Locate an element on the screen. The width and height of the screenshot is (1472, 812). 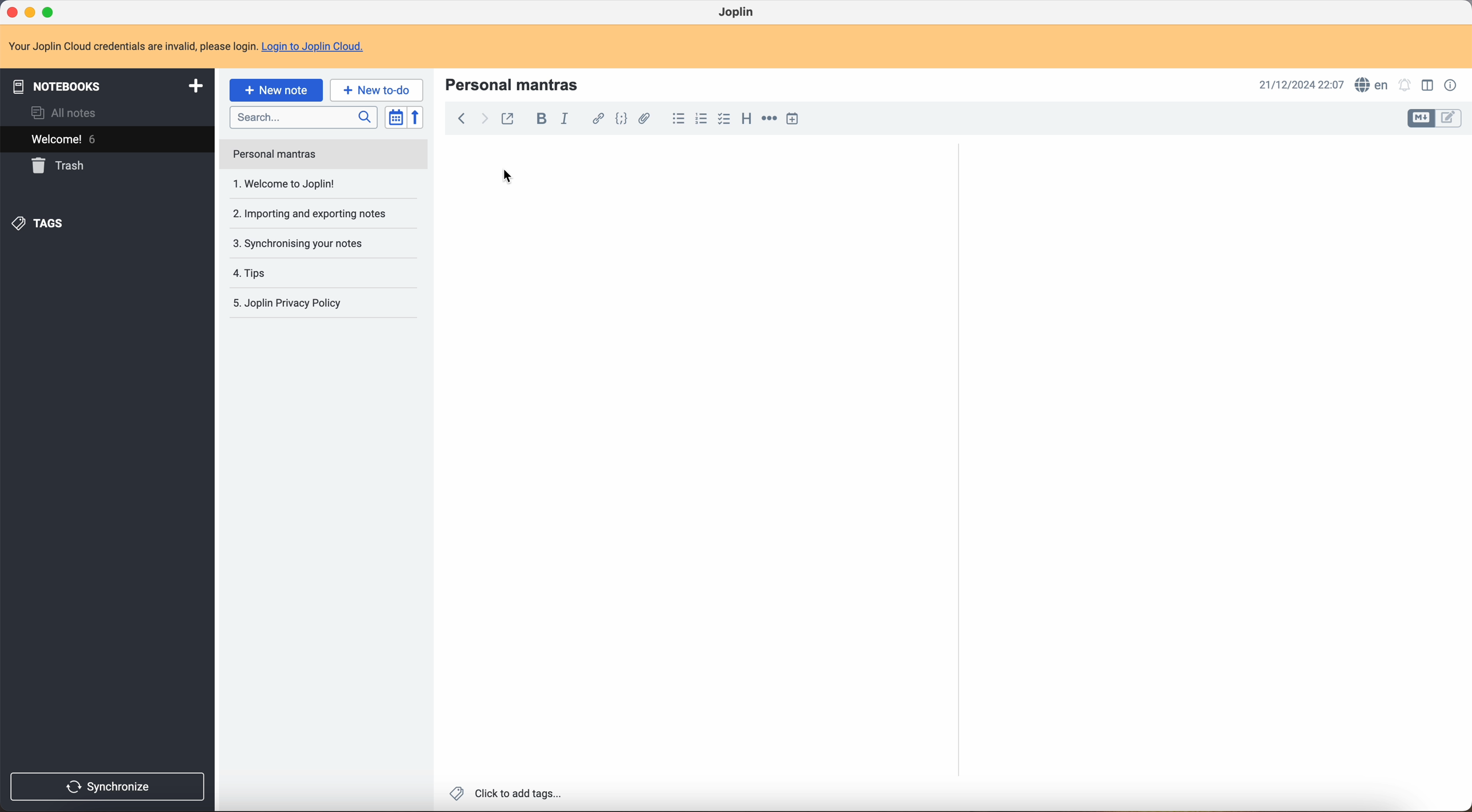
trash is located at coordinates (61, 166).